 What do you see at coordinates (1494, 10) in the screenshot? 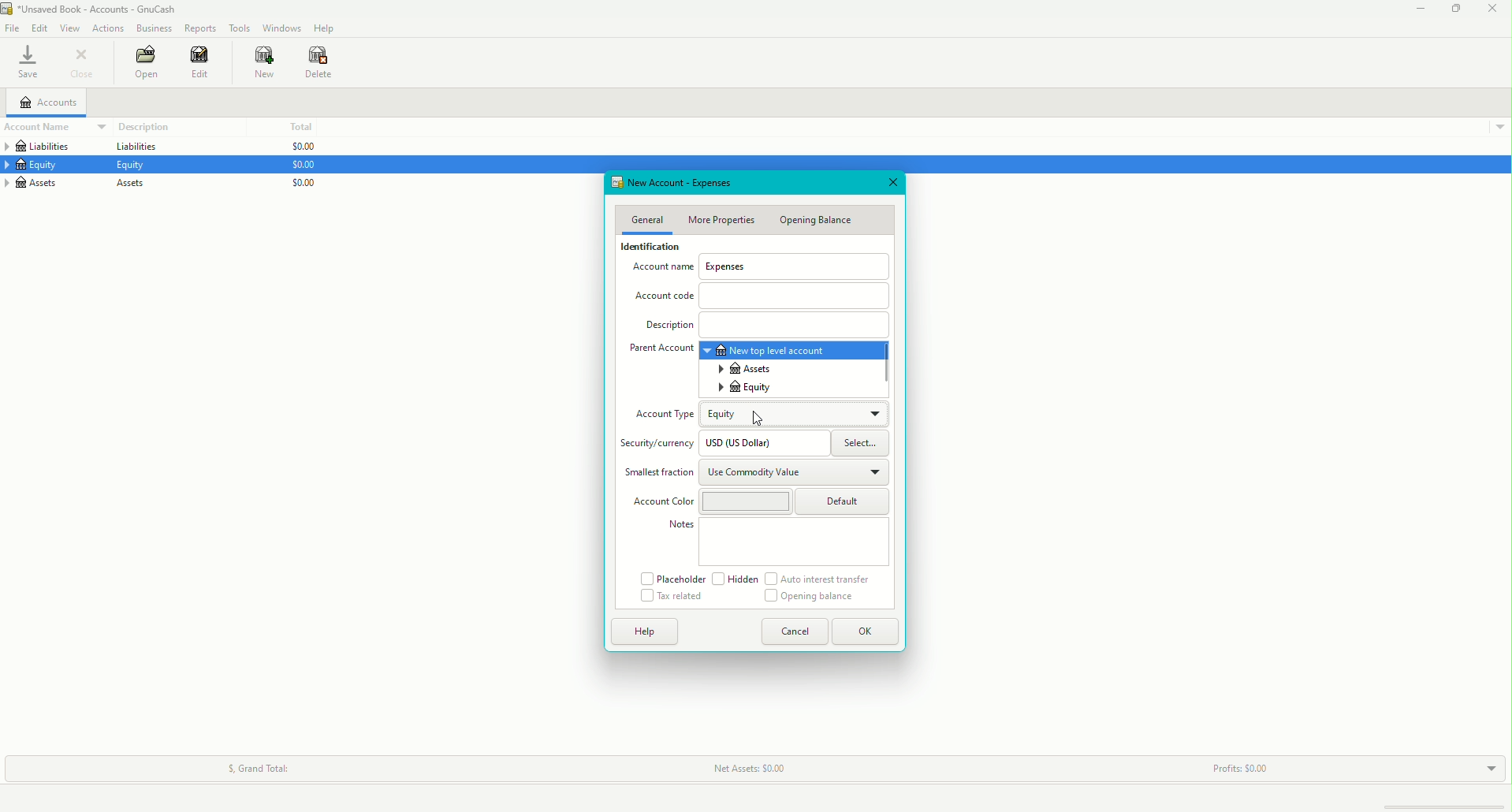
I see `Close` at bounding box center [1494, 10].